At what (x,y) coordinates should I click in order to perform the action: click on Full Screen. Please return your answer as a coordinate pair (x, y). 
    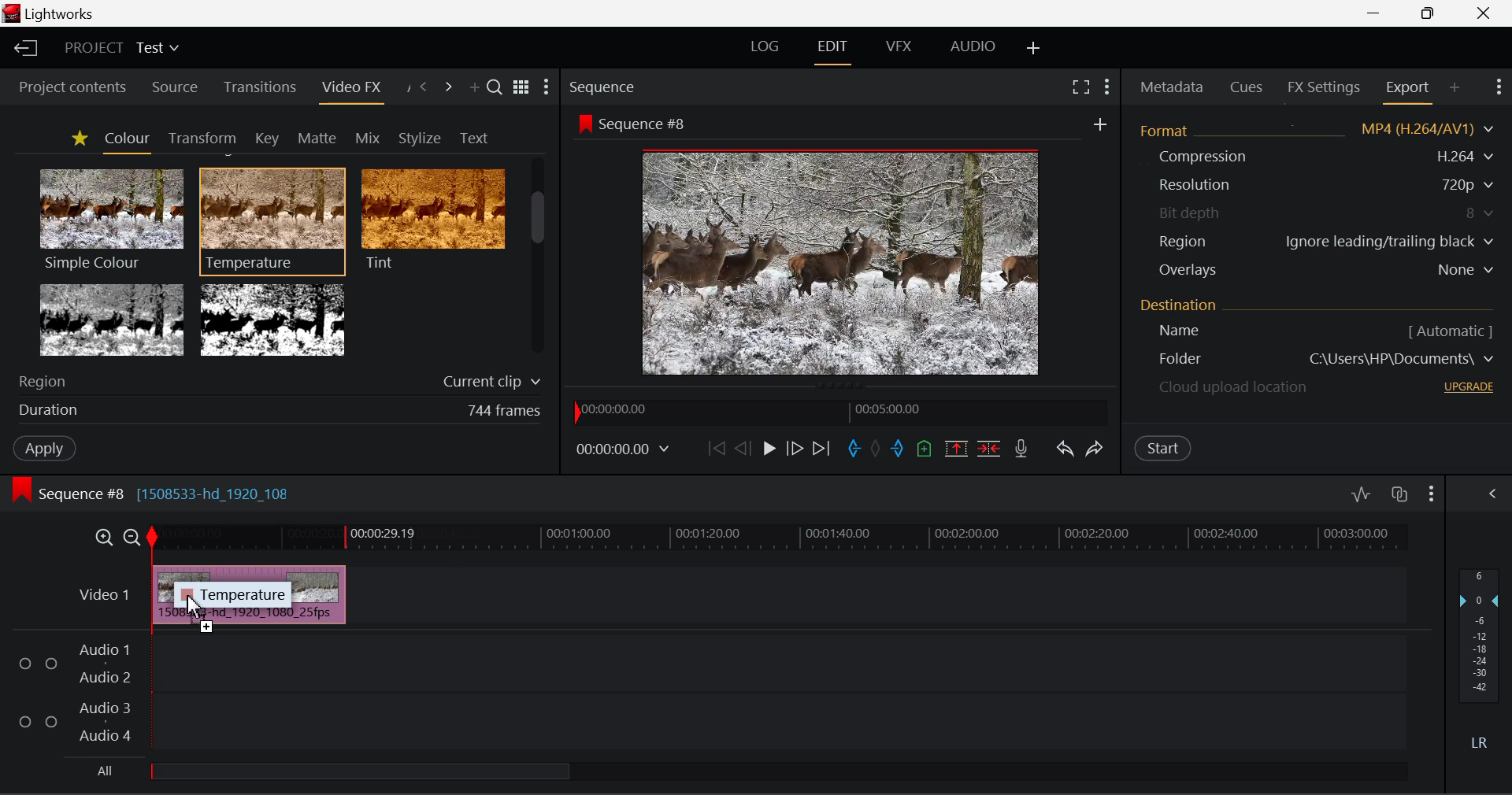
    Looking at the image, I should click on (1079, 90).